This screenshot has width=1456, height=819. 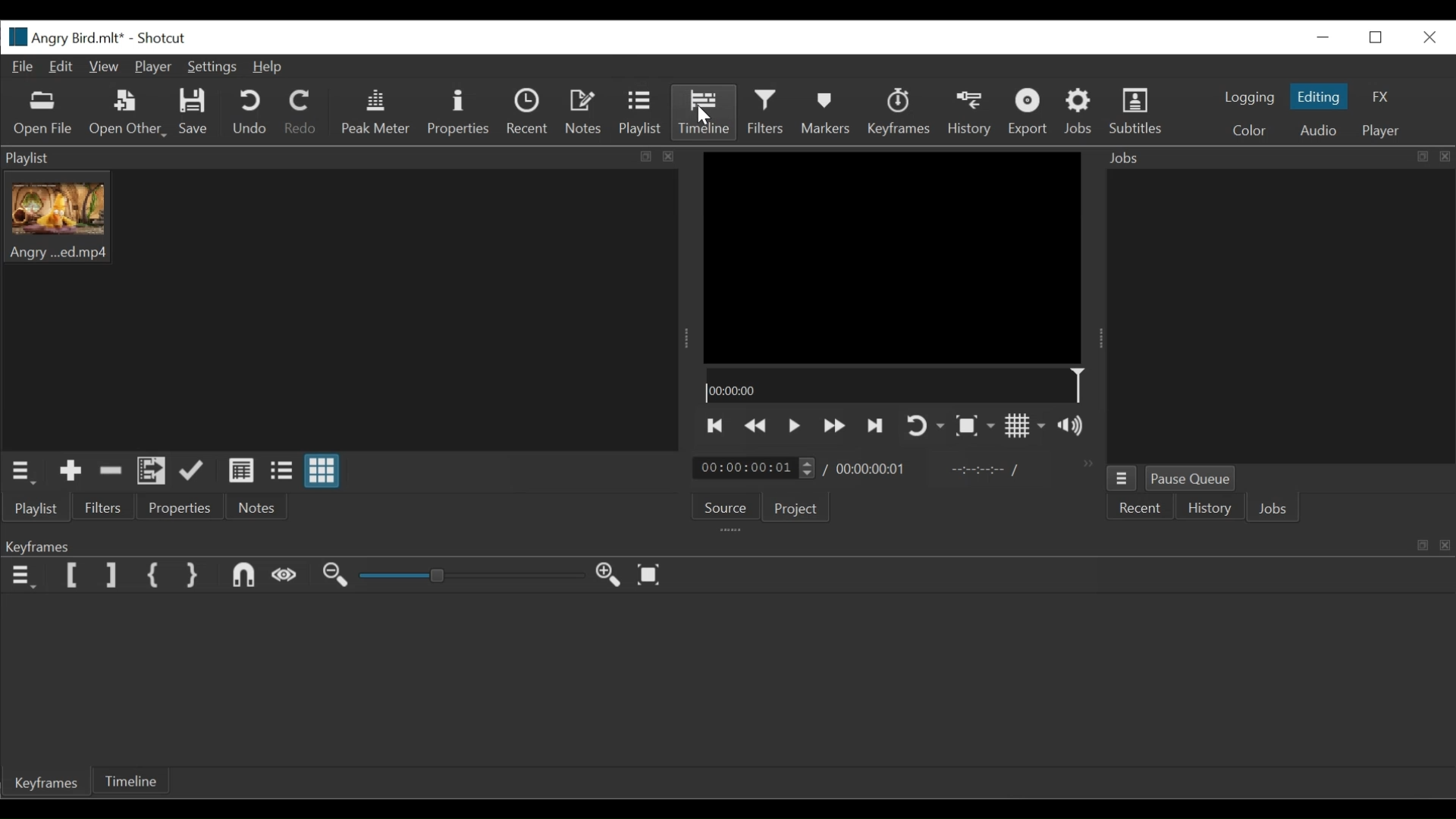 What do you see at coordinates (180, 509) in the screenshot?
I see `Properties` at bounding box center [180, 509].